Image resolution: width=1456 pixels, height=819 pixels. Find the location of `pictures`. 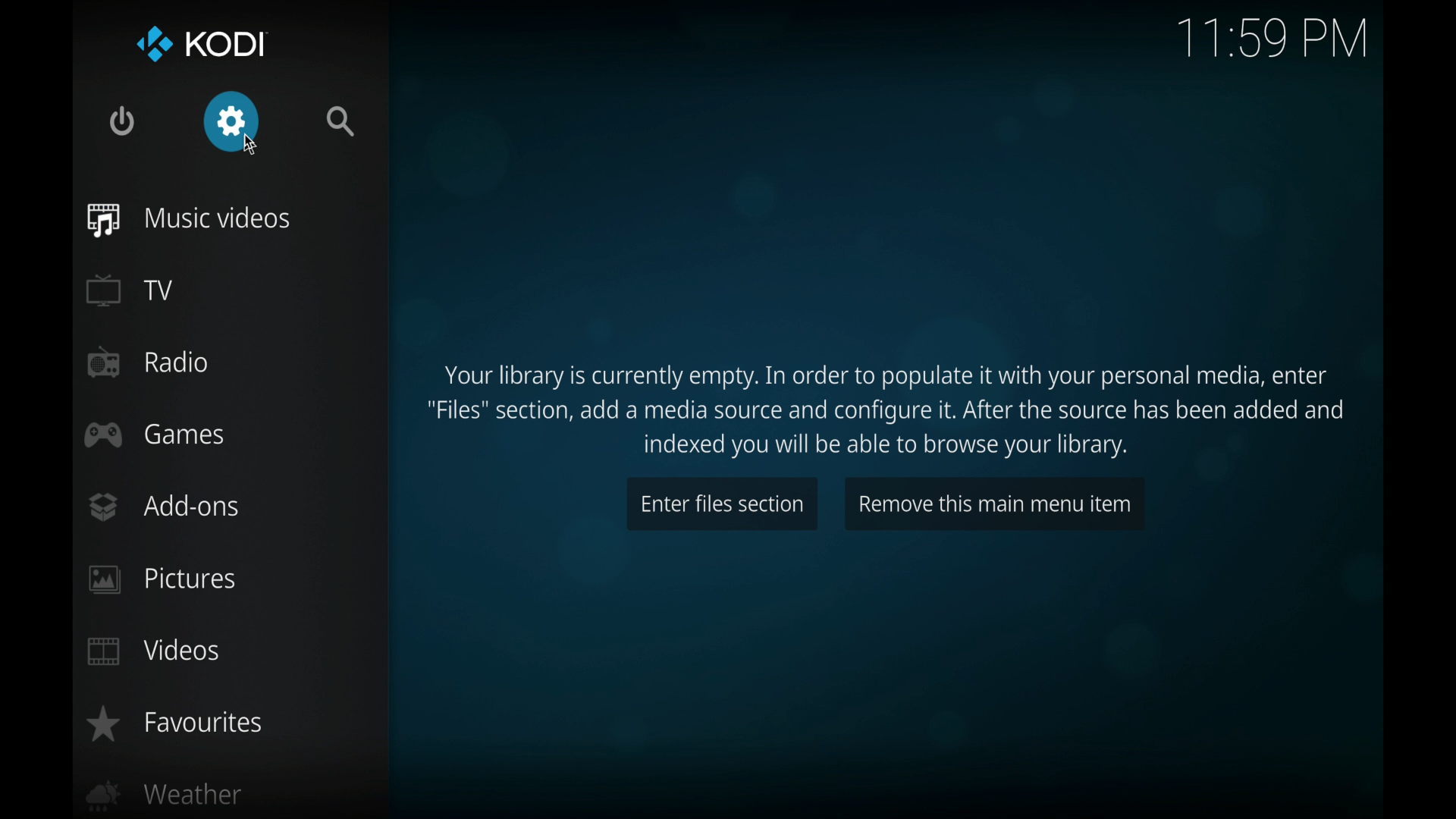

pictures is located at coordinates (162, 580).